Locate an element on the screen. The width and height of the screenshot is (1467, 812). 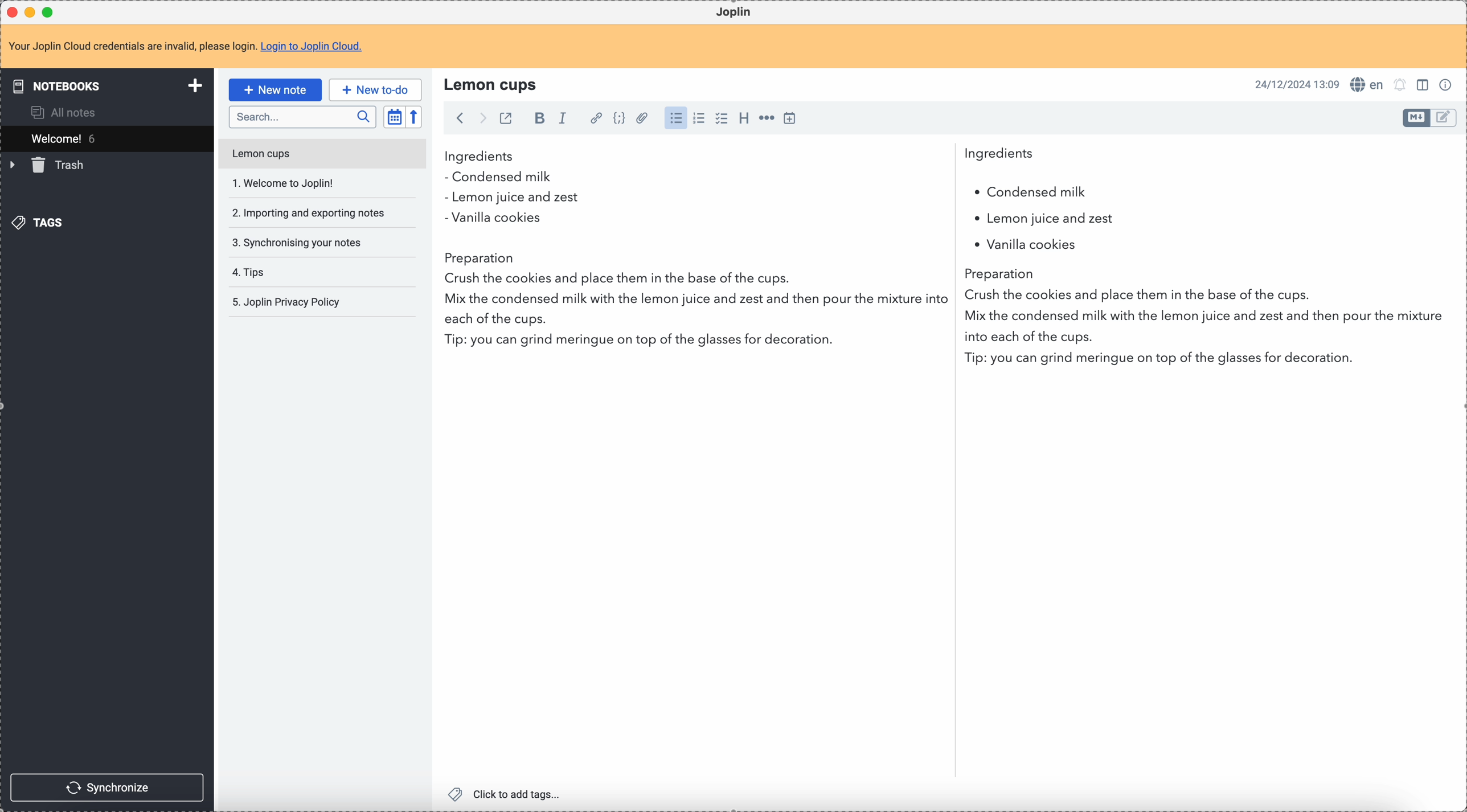
all notes is located at coordinates (67, 112).